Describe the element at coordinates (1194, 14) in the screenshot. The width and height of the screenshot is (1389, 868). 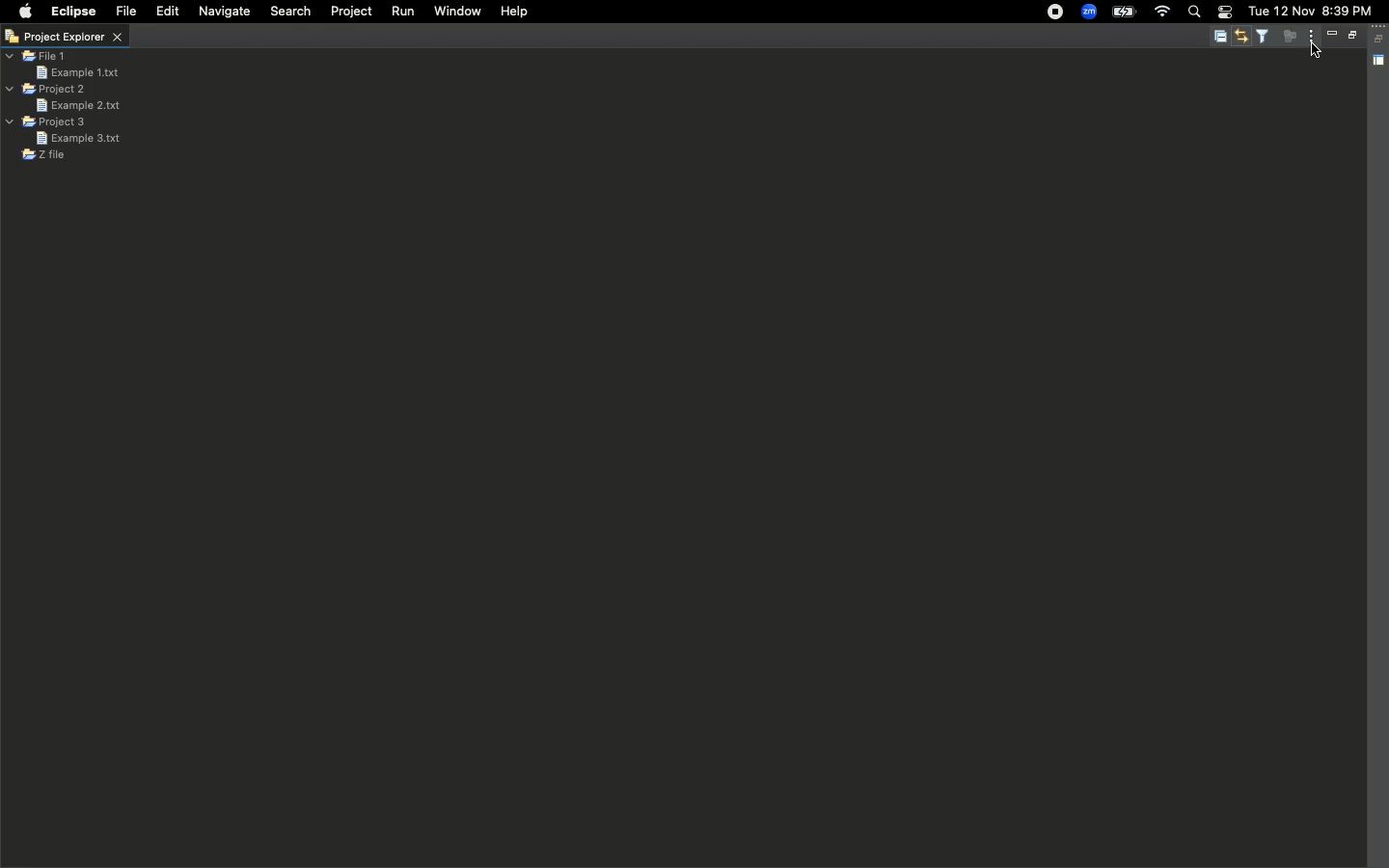
I see `Search` at that location.